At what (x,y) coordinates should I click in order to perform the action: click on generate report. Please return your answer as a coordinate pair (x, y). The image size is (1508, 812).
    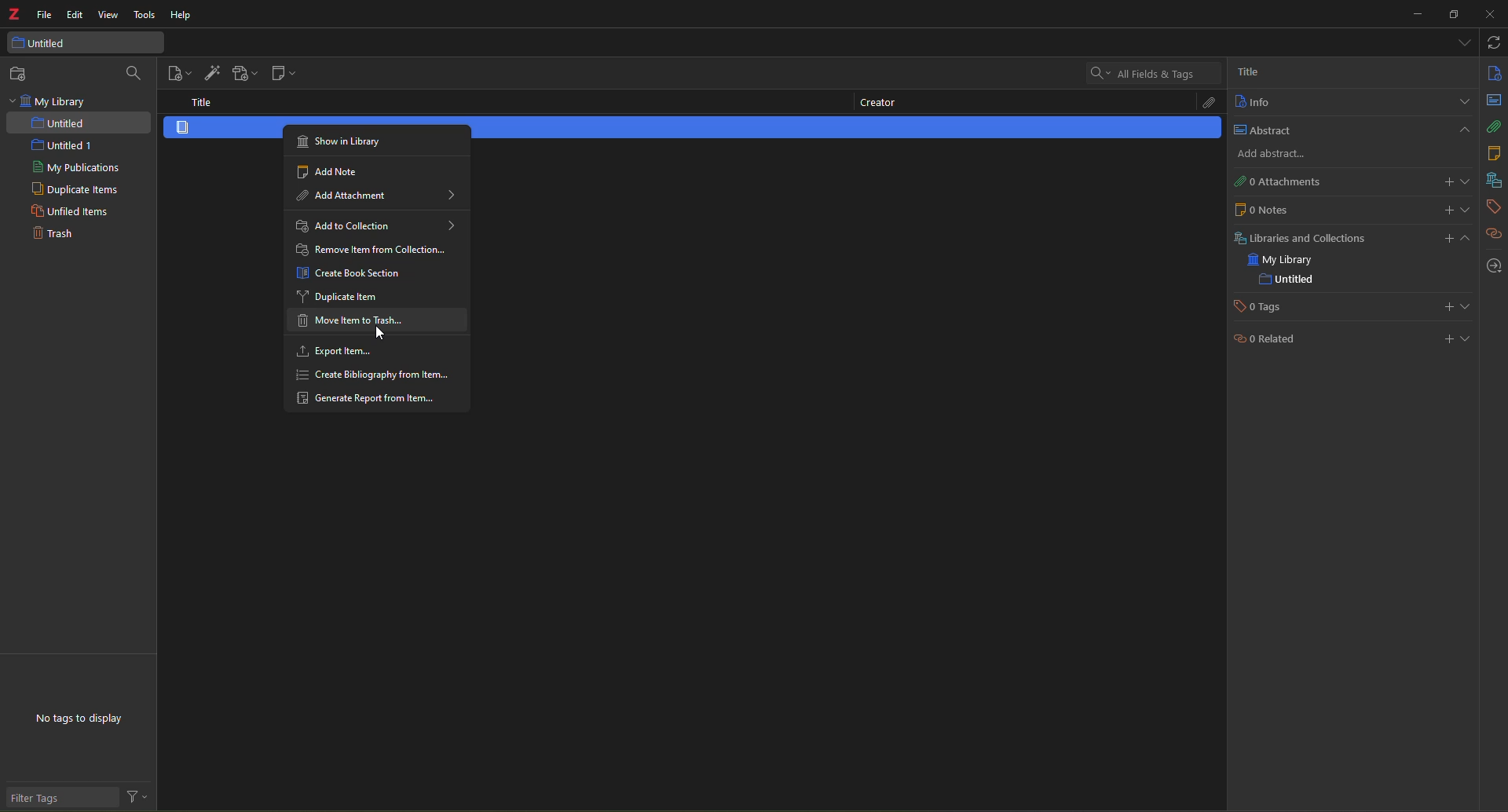
    Looking at the image, I should click on (372, 399).